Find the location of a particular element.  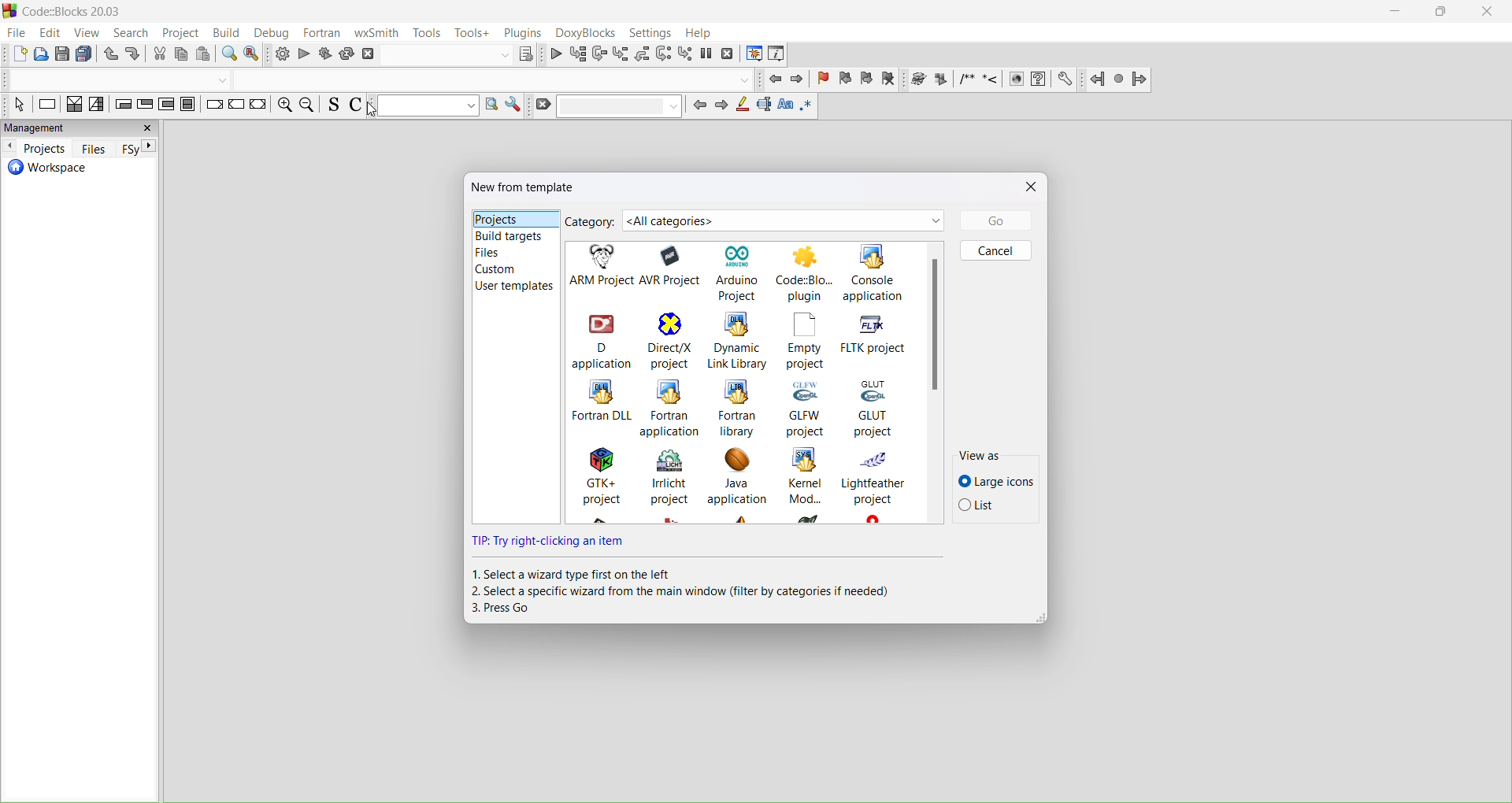

use regex is located at coordinates (806, 108).